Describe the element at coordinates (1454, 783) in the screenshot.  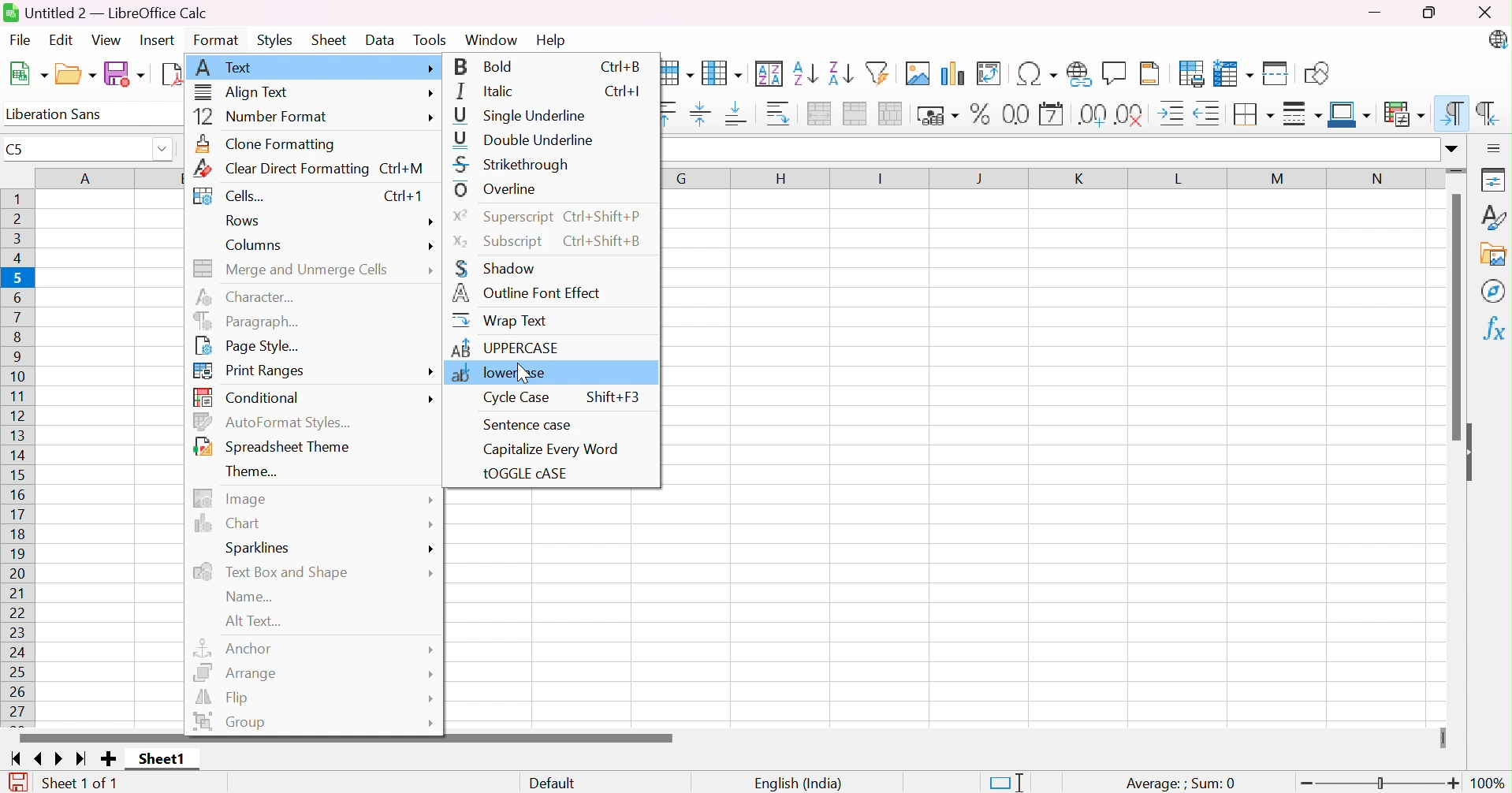
I see `Zoom In` at that location.